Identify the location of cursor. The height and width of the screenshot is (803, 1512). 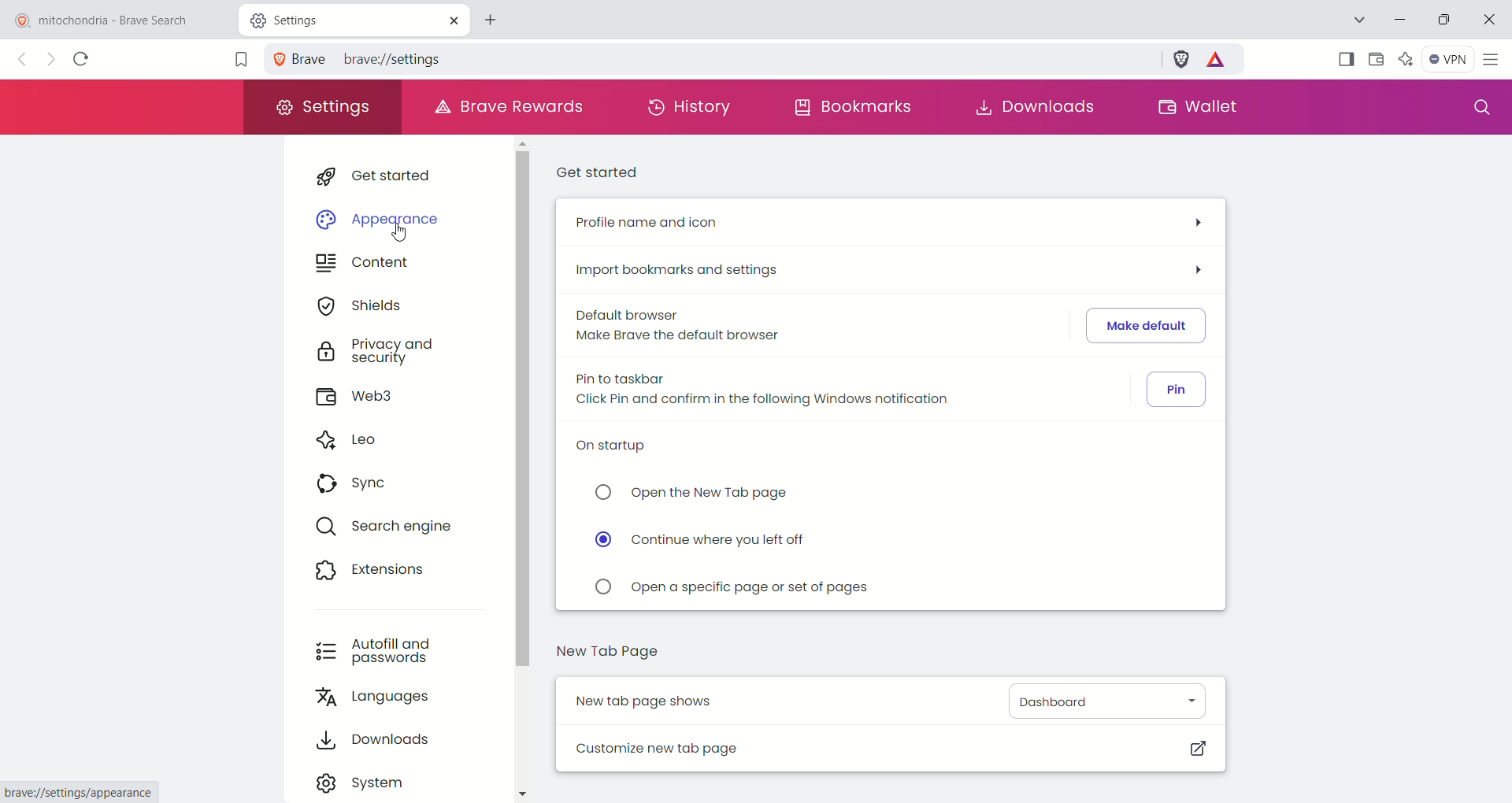
(417, 239).